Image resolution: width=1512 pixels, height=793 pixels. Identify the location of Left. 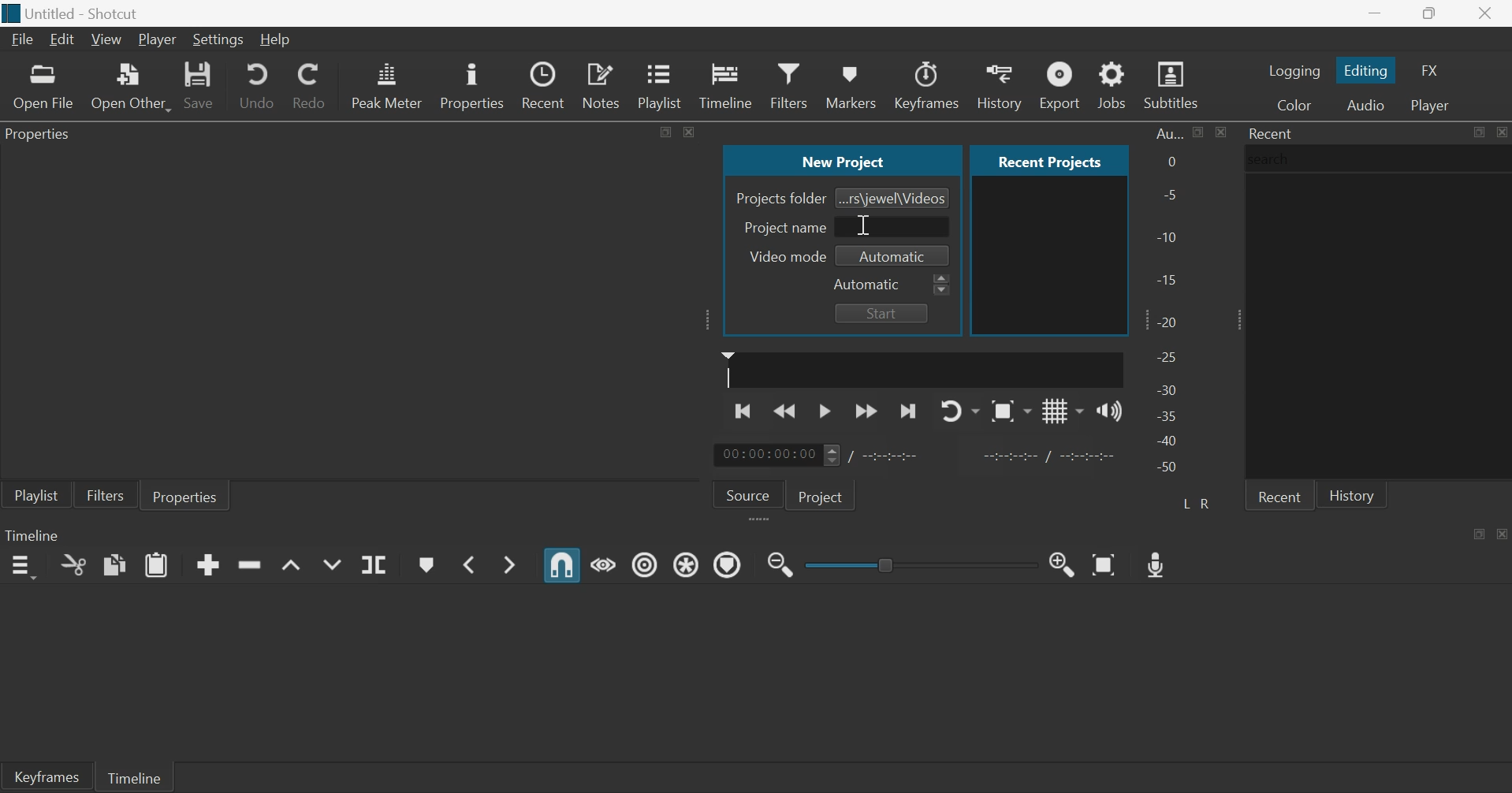
(1188, 502).